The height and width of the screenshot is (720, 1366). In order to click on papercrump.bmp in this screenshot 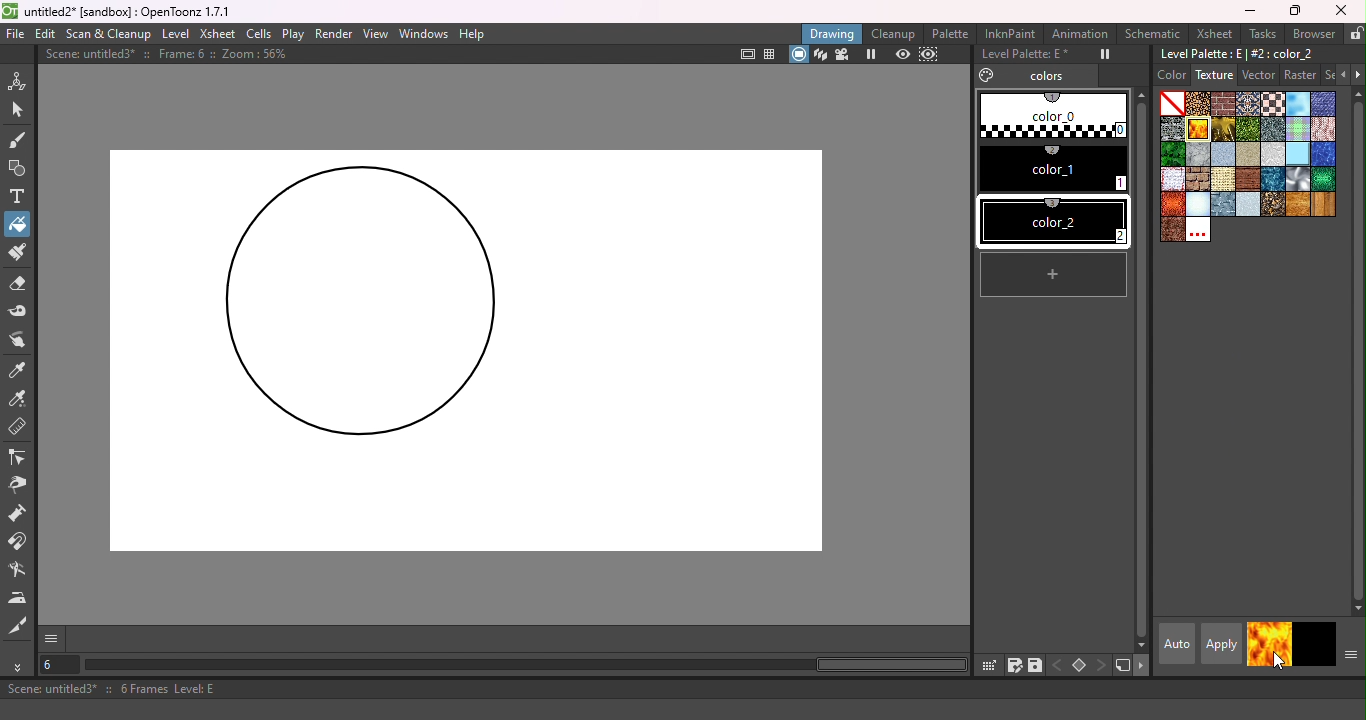, I will do `click(1273, 153)`.